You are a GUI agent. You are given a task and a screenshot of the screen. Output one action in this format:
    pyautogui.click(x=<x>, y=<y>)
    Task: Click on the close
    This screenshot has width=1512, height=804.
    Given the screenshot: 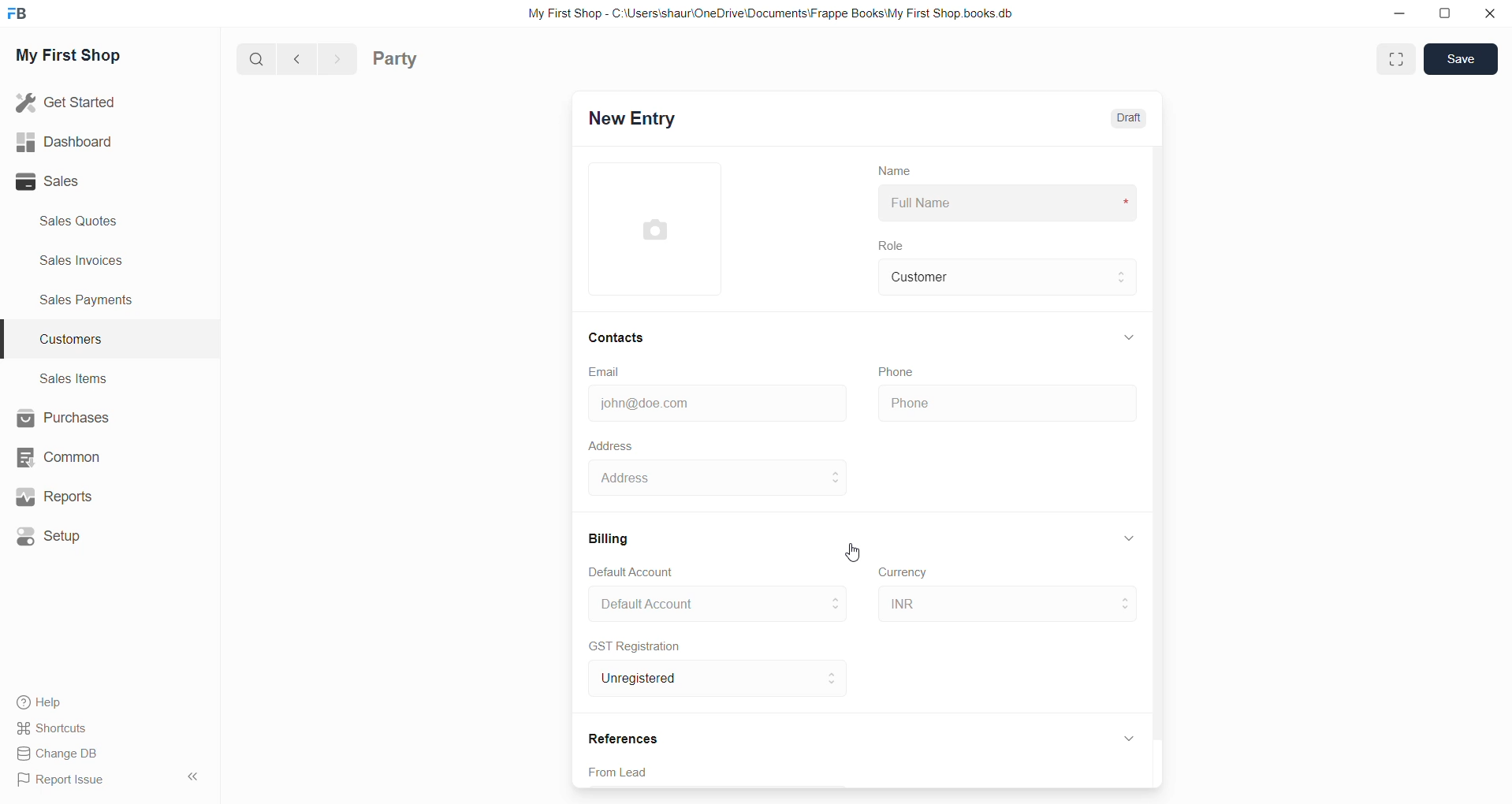 What is the action you would take?
    pyautogui.click(x=1488, y=14)
    